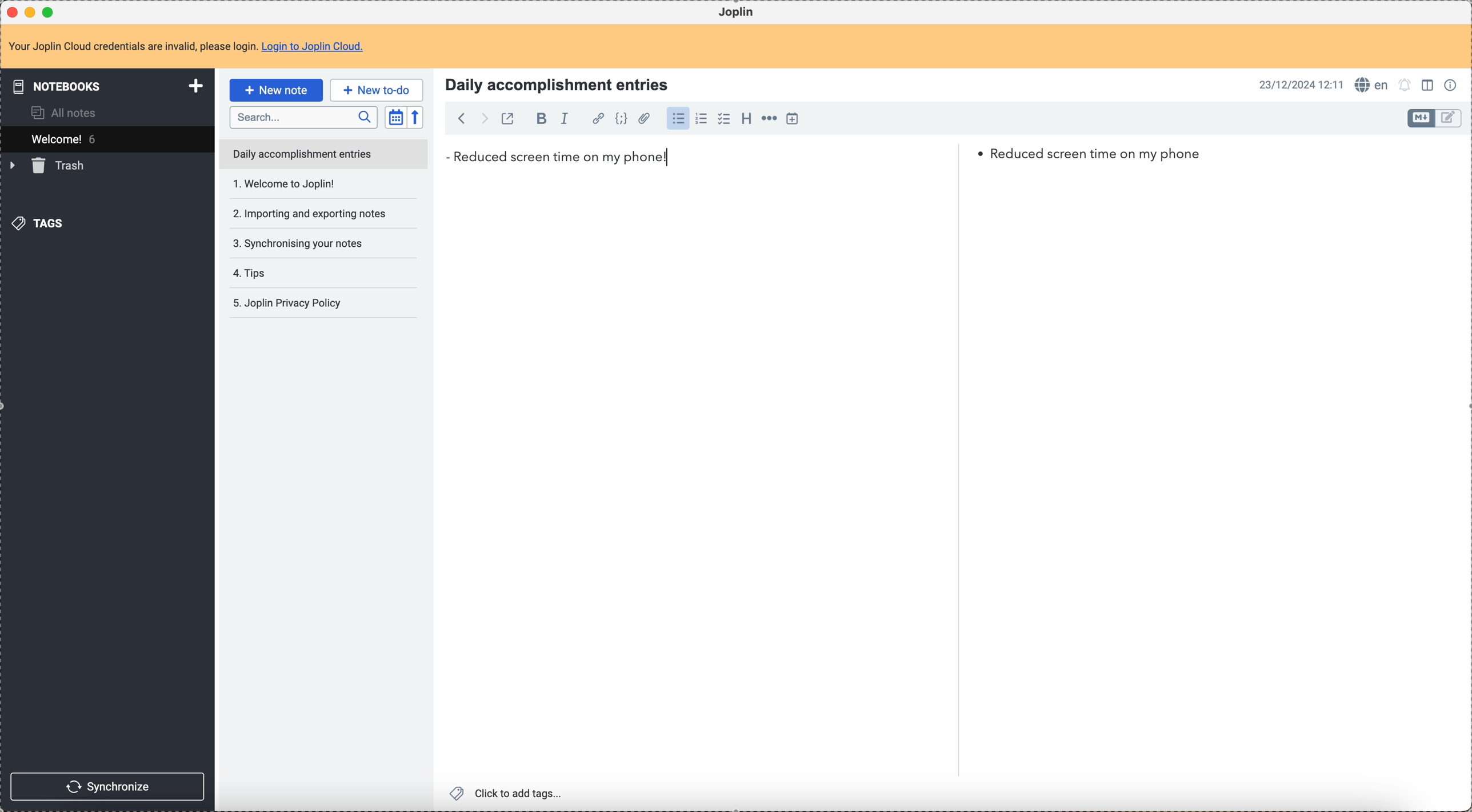  I want to click on Joplin, so click(738, 13).